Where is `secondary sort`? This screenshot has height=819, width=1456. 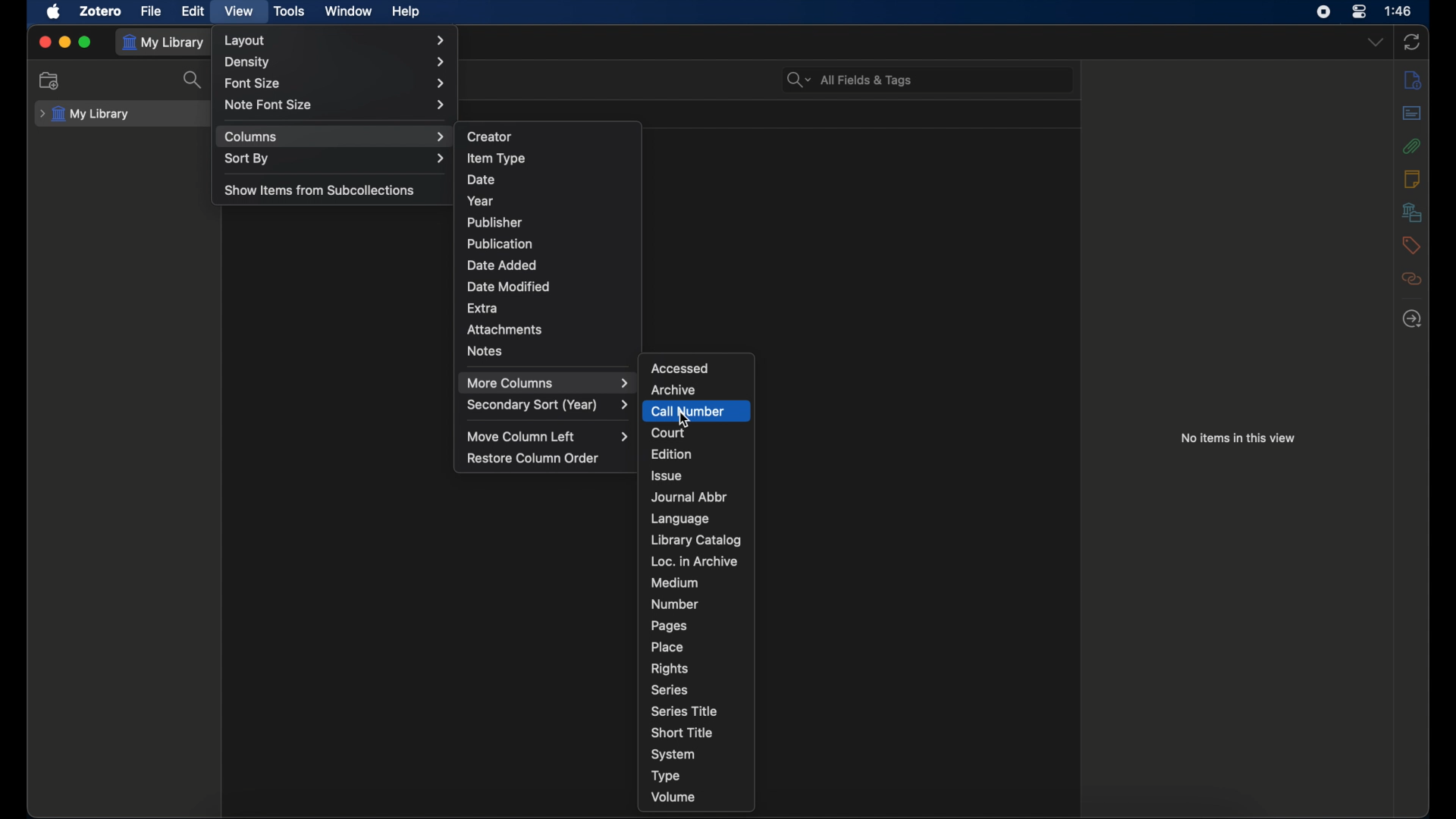 secondary sort is located at coordinates (549, 406).